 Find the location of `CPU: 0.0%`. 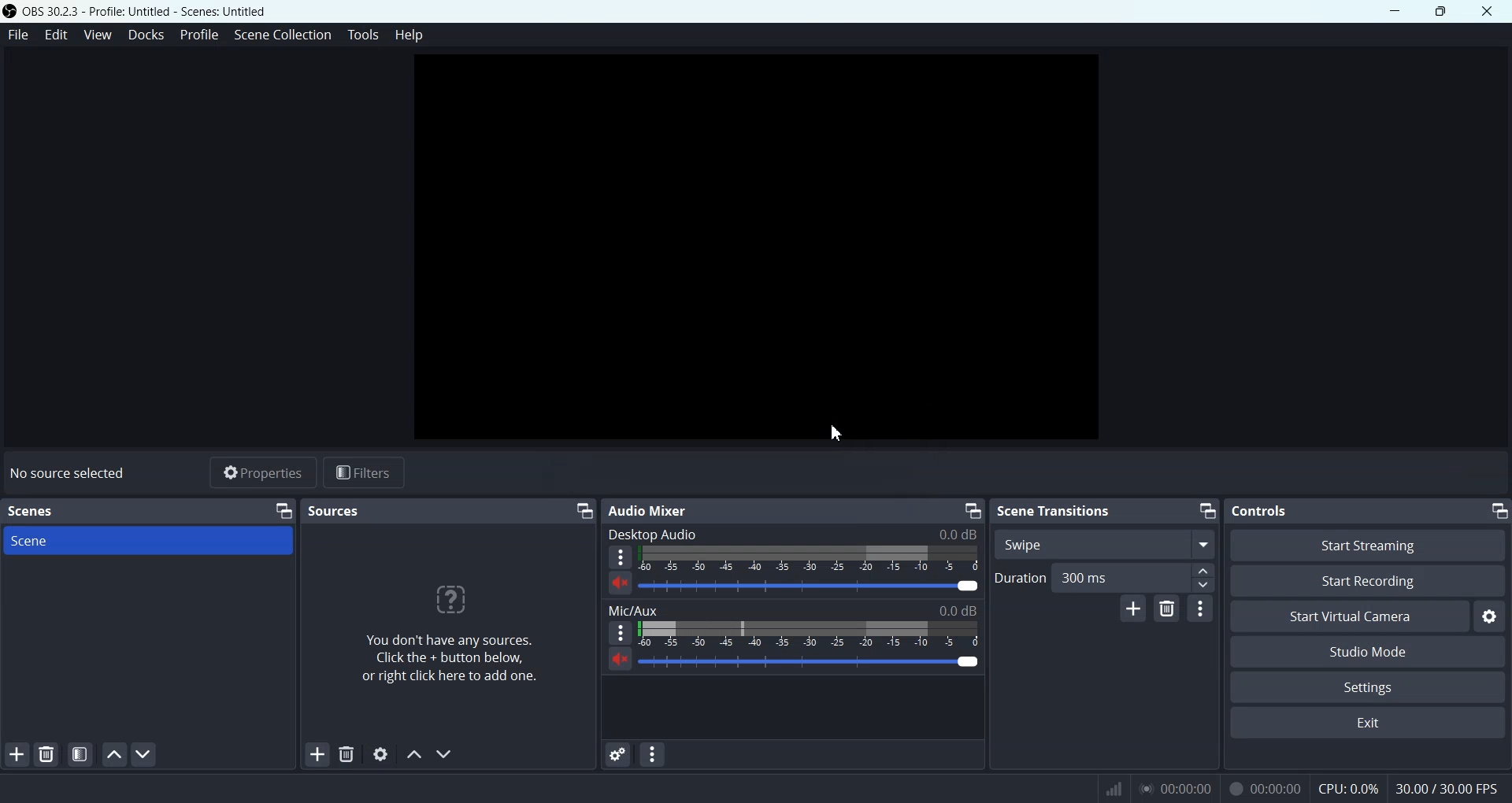

CPU: 0.0% is located at coordinates (1347, 787).